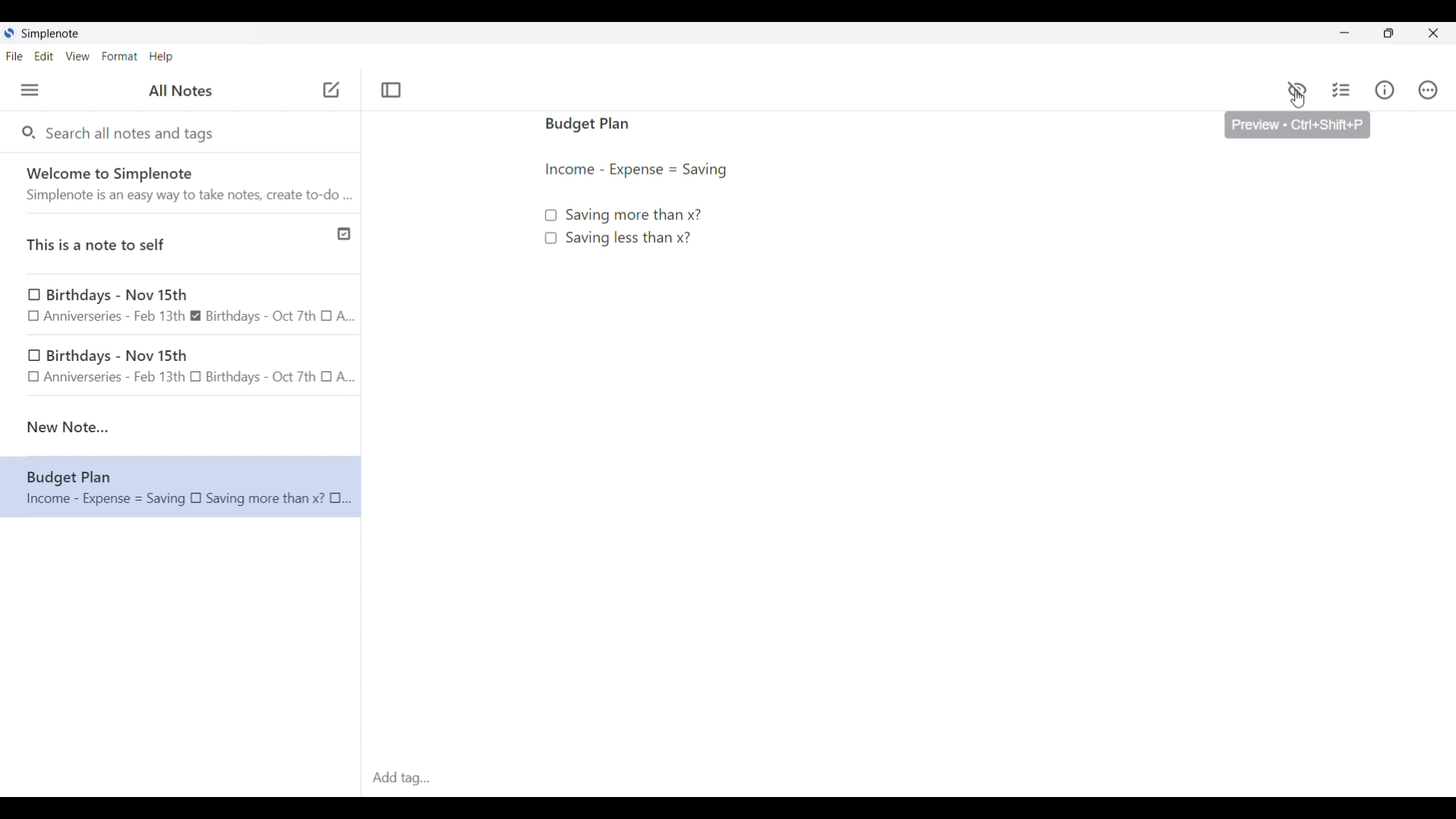 Image resolution: width=1456 pixels, height=819 pixels. Describe the element at coordinates (52, 34) in the screenshot. I see `Software name` at that location.